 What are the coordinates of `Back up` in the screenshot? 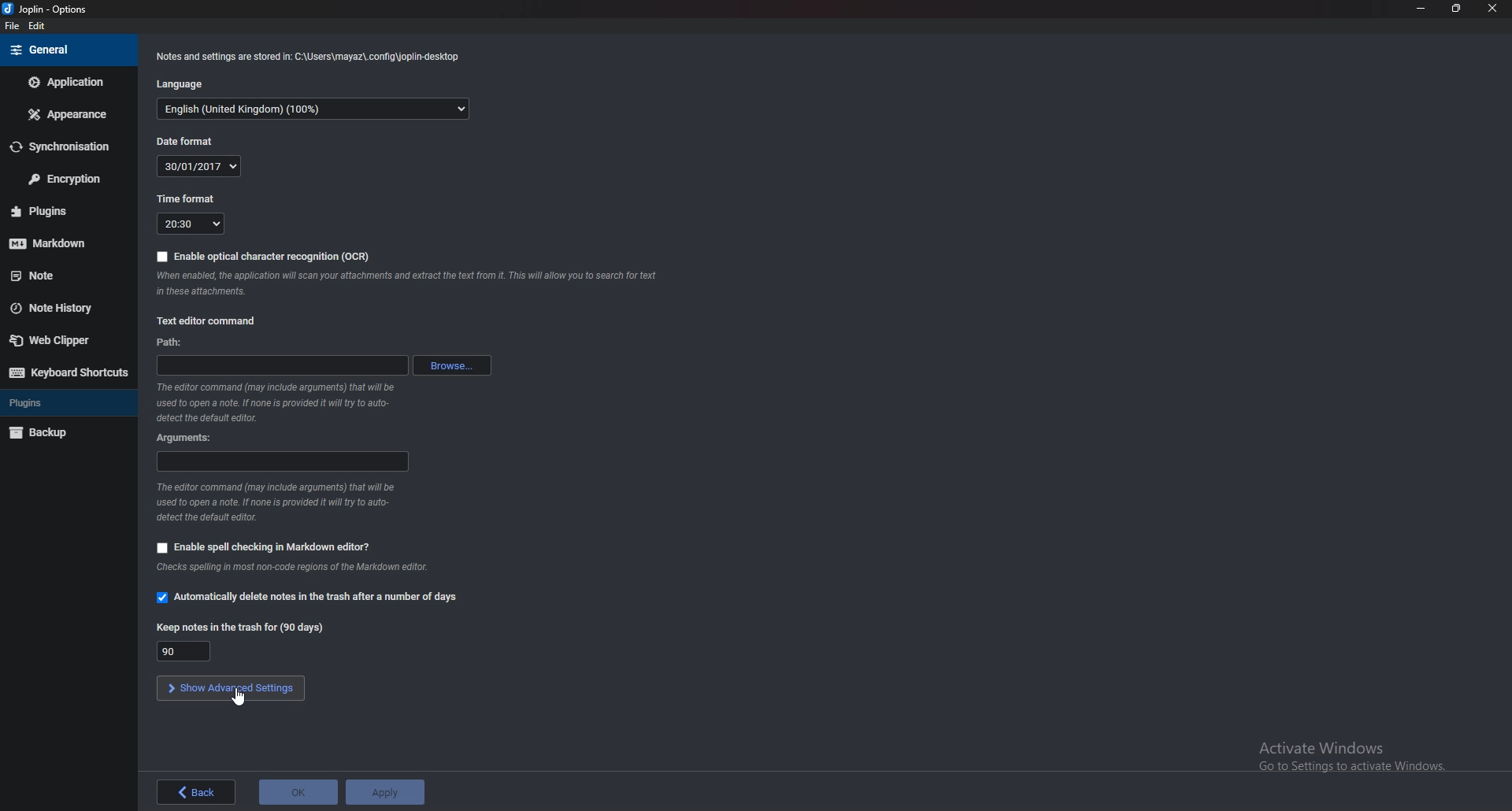 It's located at (62, 432).